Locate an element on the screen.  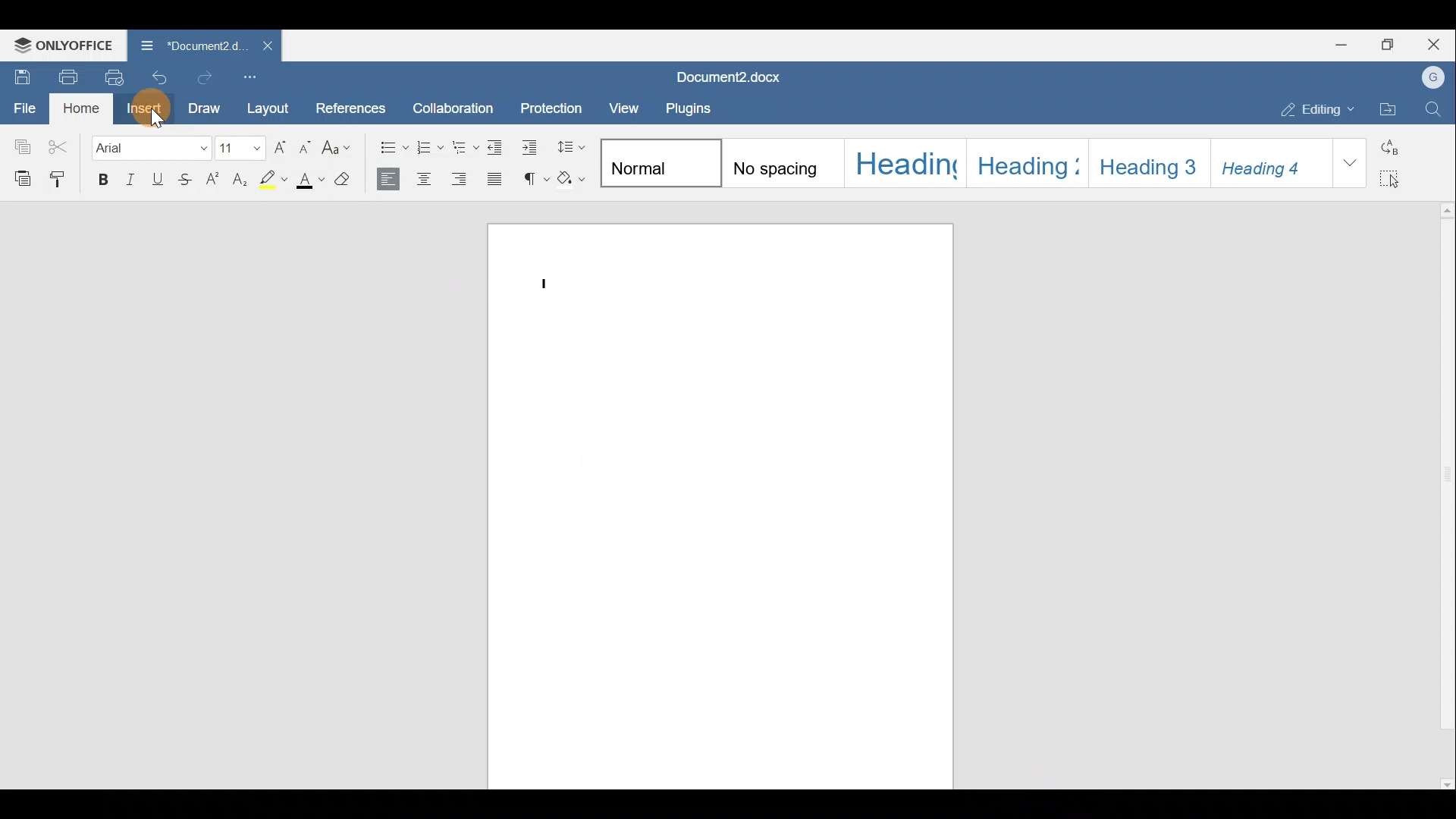
Layout is located at coordinates (268, 110).